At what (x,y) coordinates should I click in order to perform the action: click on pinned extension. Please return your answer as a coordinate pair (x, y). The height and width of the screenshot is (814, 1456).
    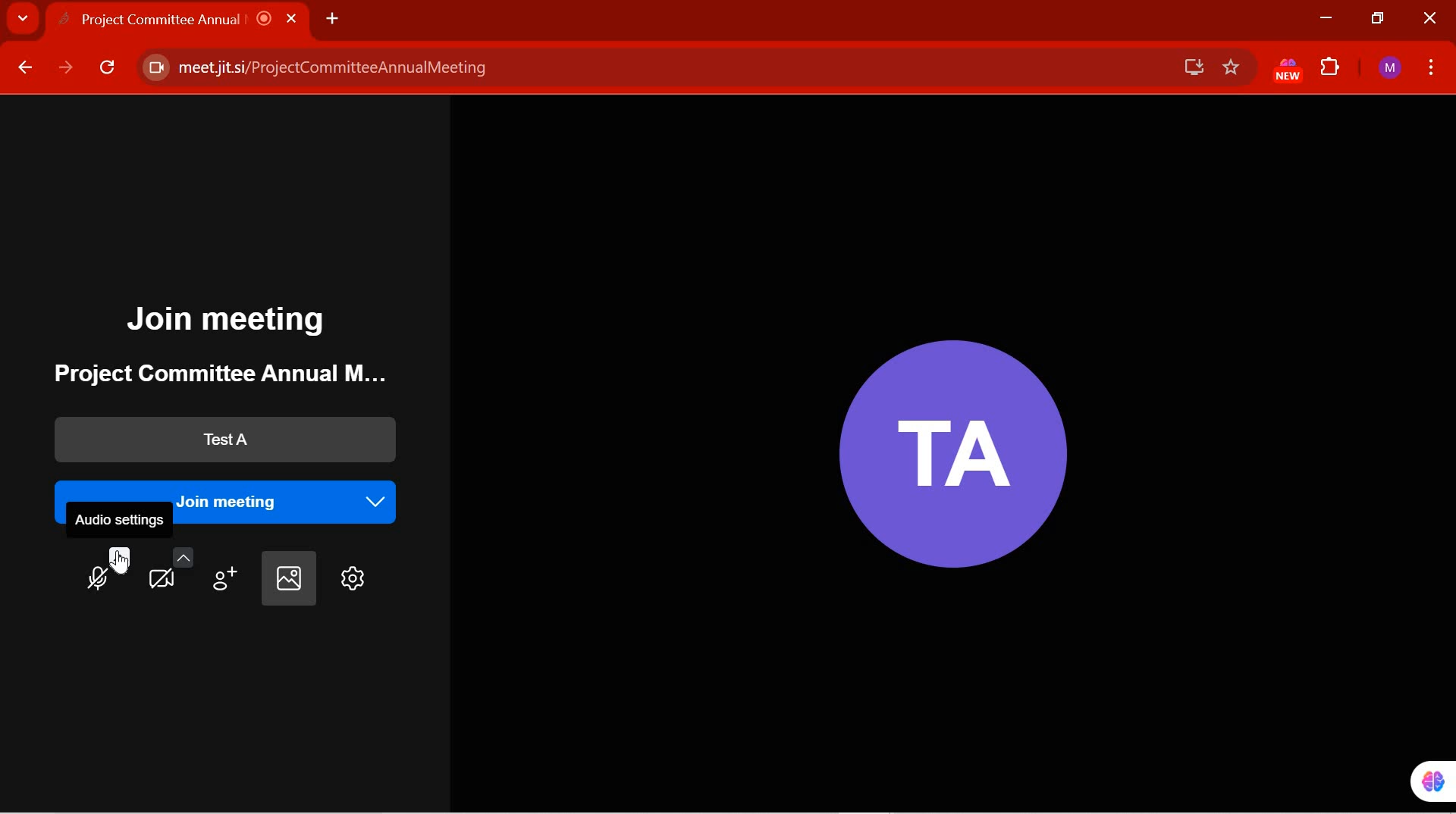
    Looking at the image, I should click on (1422, 781).